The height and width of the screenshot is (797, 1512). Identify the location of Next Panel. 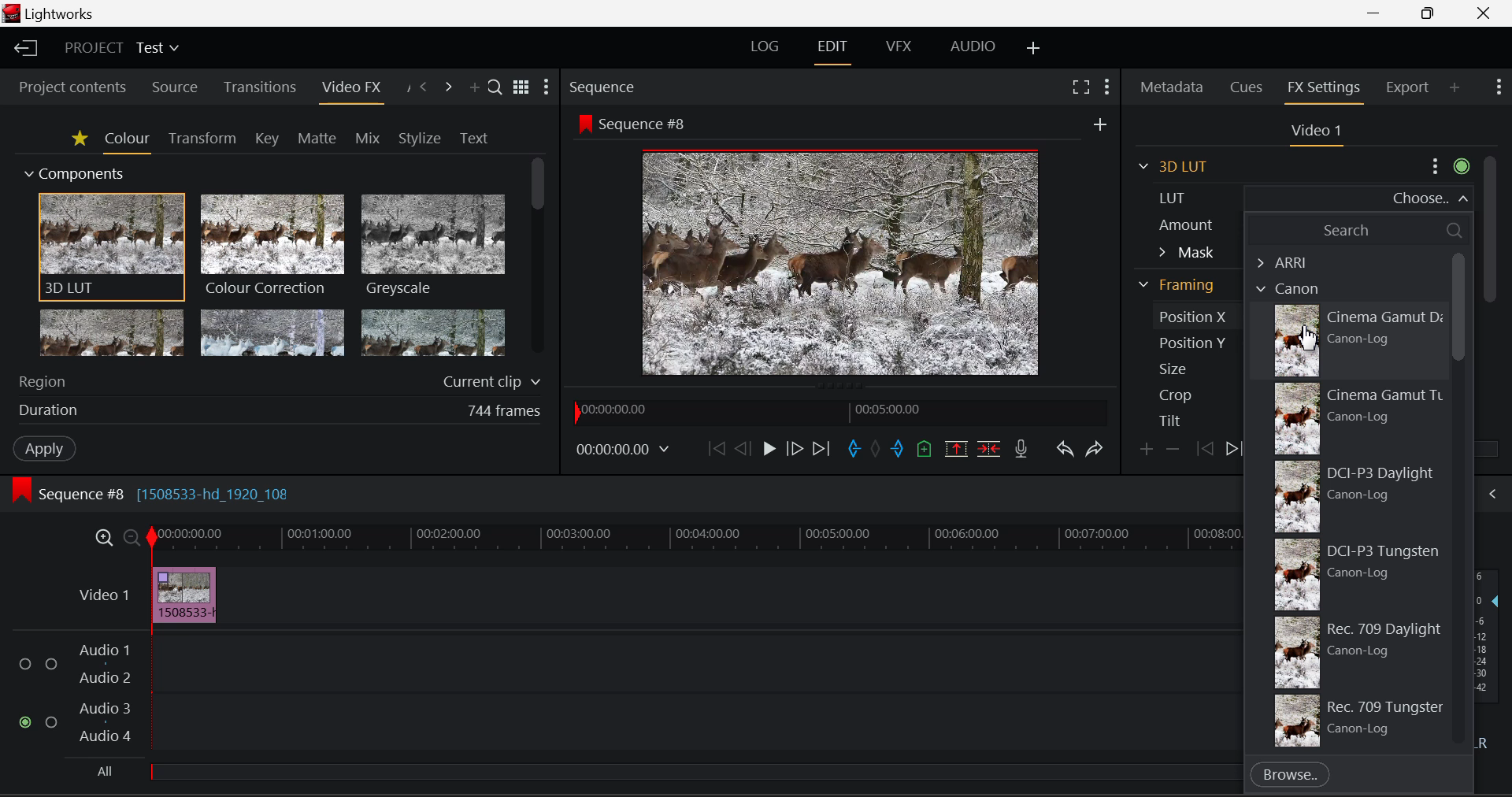
(450, 85).